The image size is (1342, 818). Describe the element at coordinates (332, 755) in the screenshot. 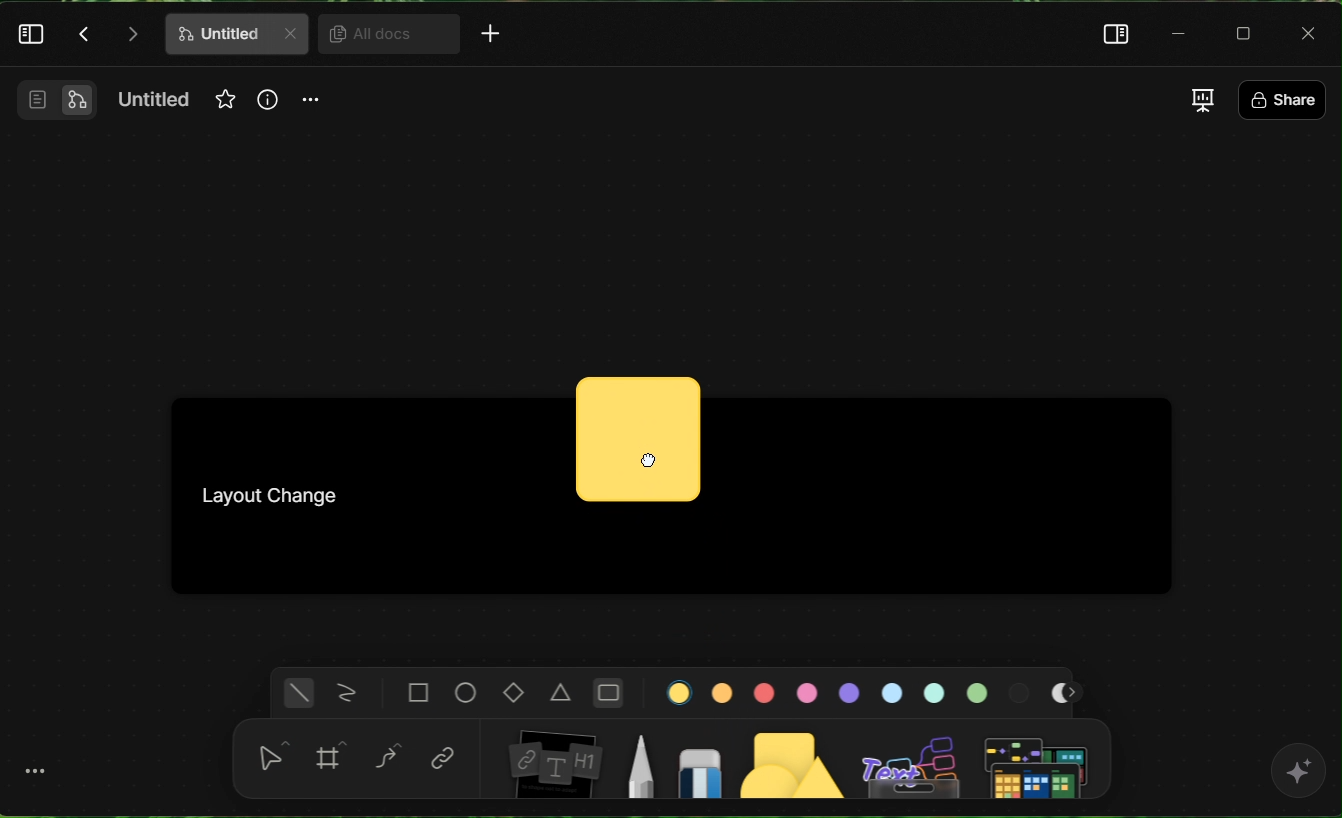

I see `frame` at that location.